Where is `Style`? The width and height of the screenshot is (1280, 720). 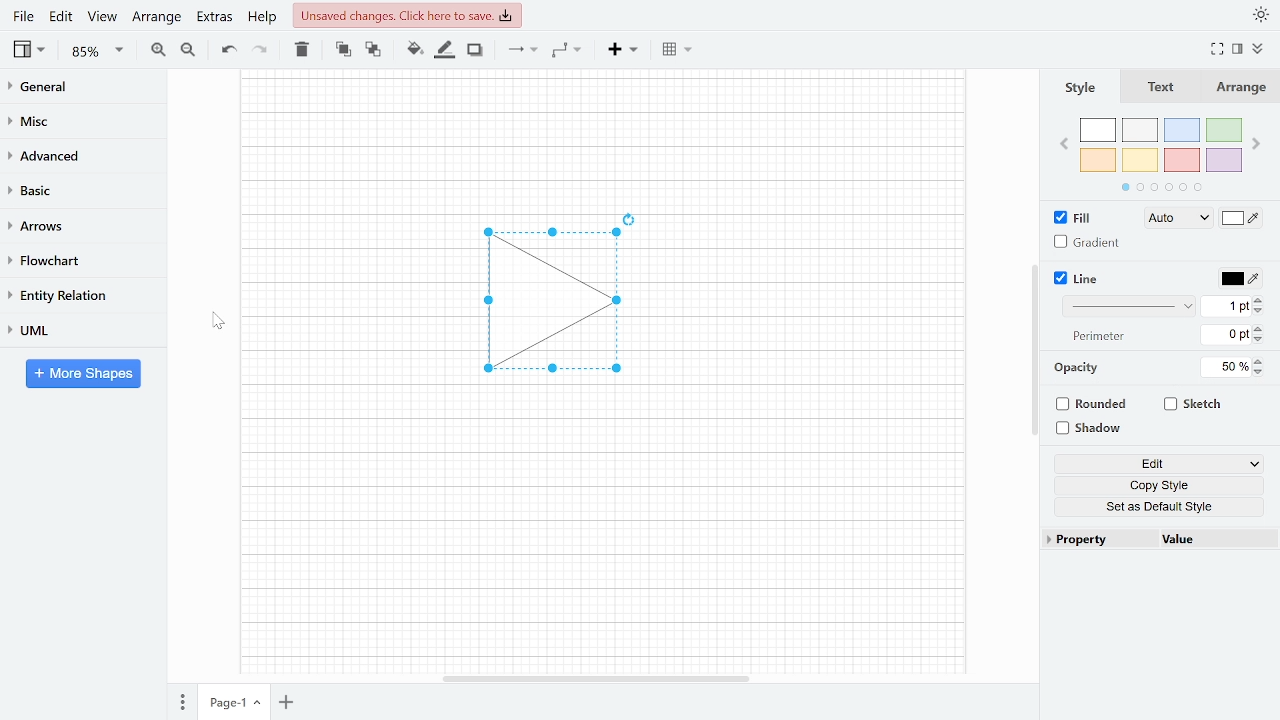
Style is located at coordinates (1078, 87).